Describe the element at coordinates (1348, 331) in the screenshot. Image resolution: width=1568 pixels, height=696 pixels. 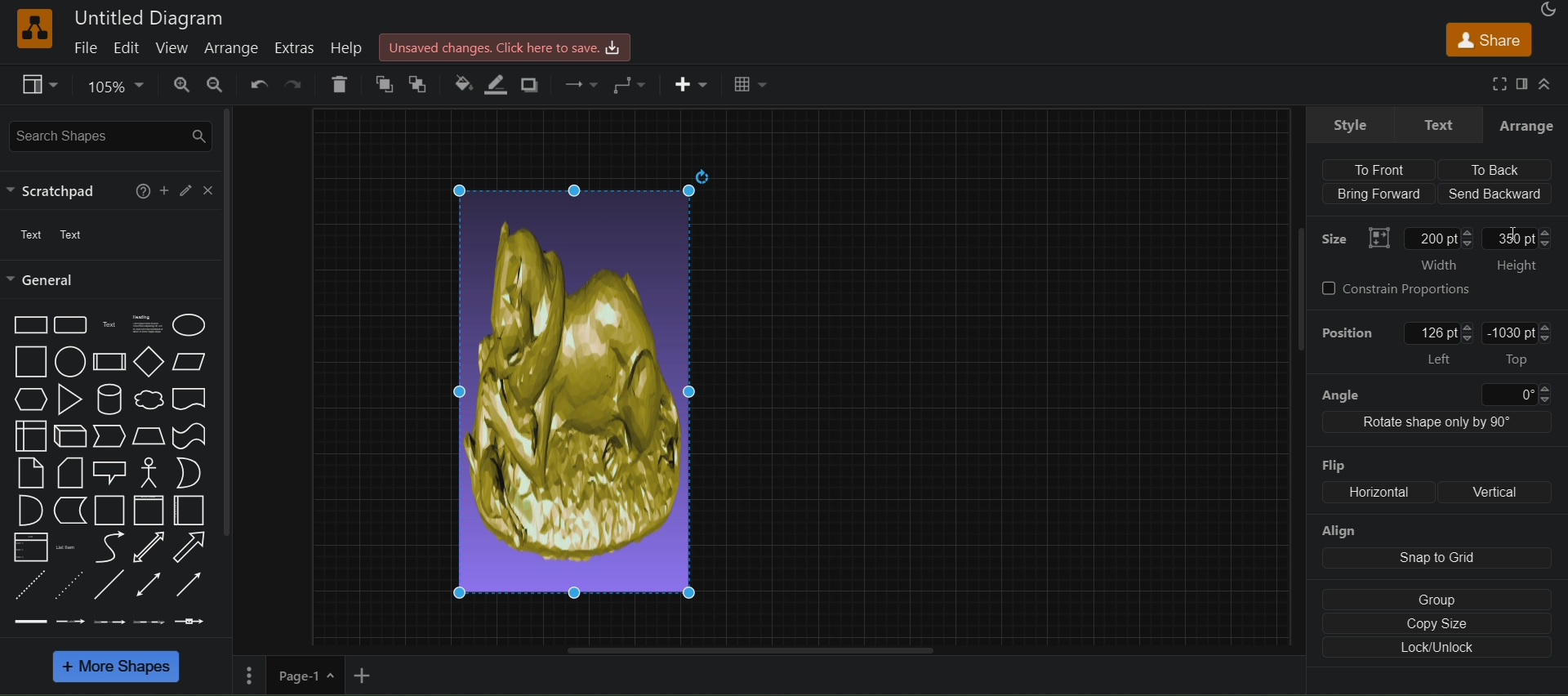
I see `Position` at that location.